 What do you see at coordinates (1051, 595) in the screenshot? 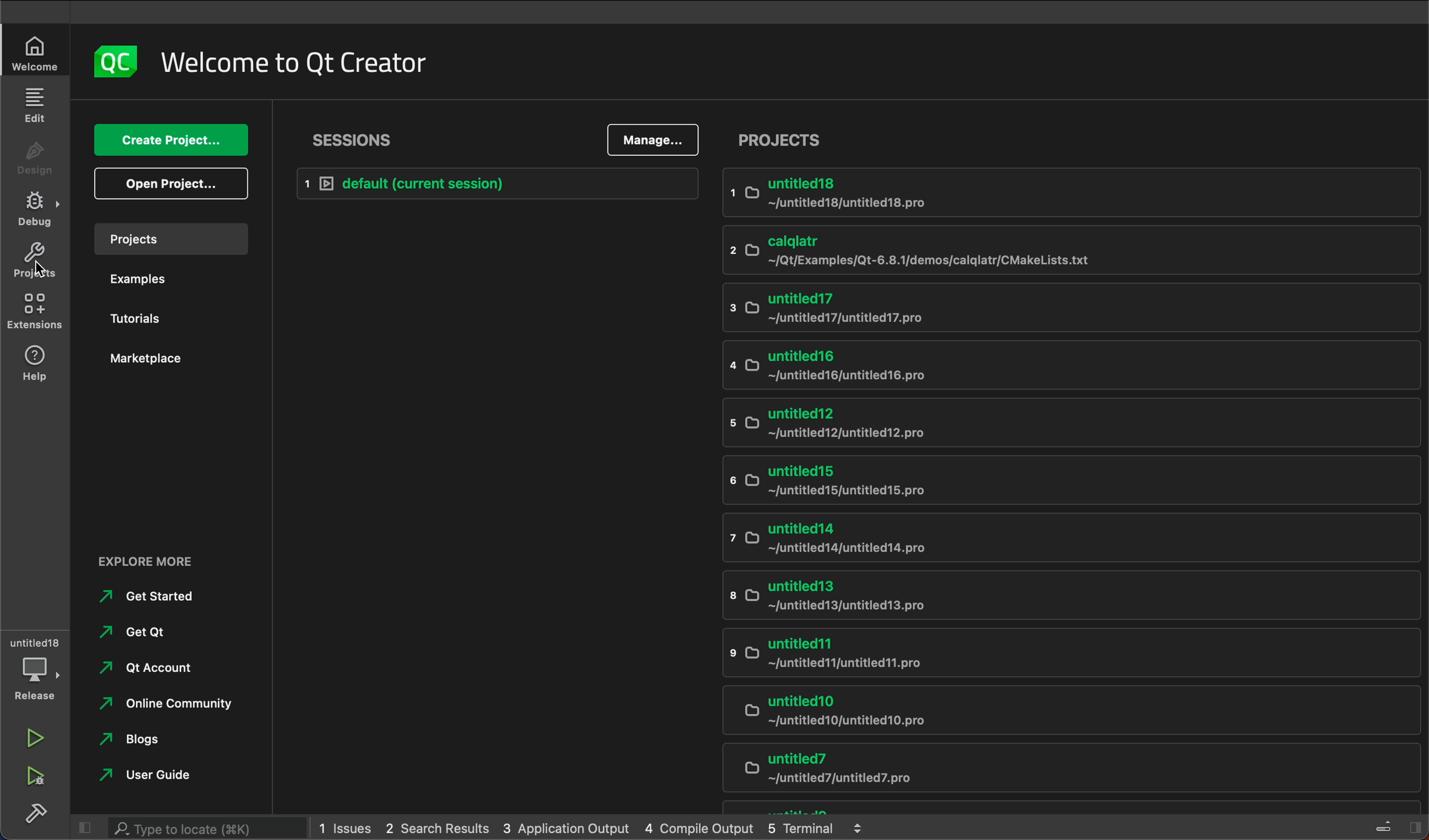
I see `untitled13` at bounding box center [1051, 595].